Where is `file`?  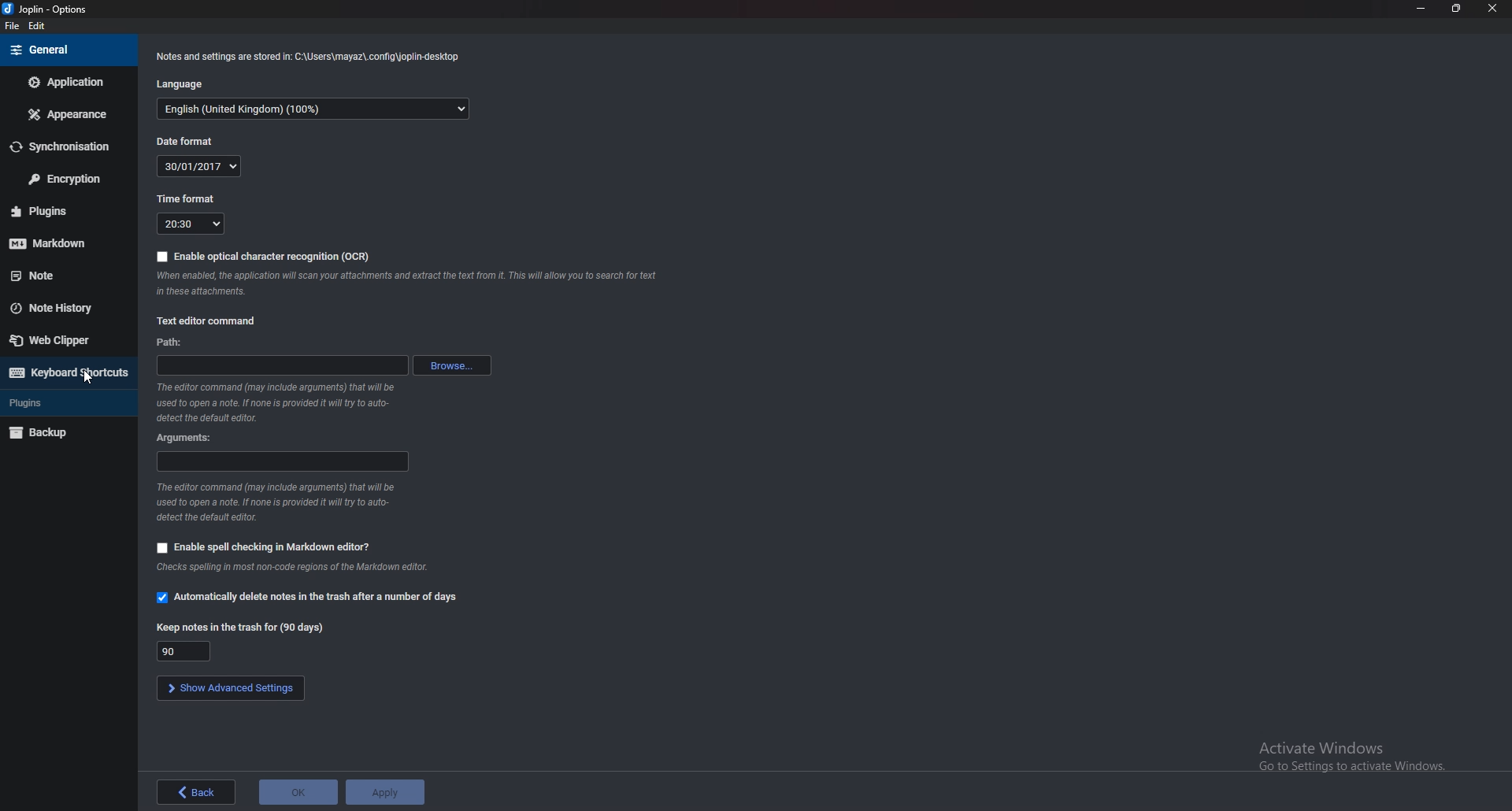
file is located at coordinates (12, 28).